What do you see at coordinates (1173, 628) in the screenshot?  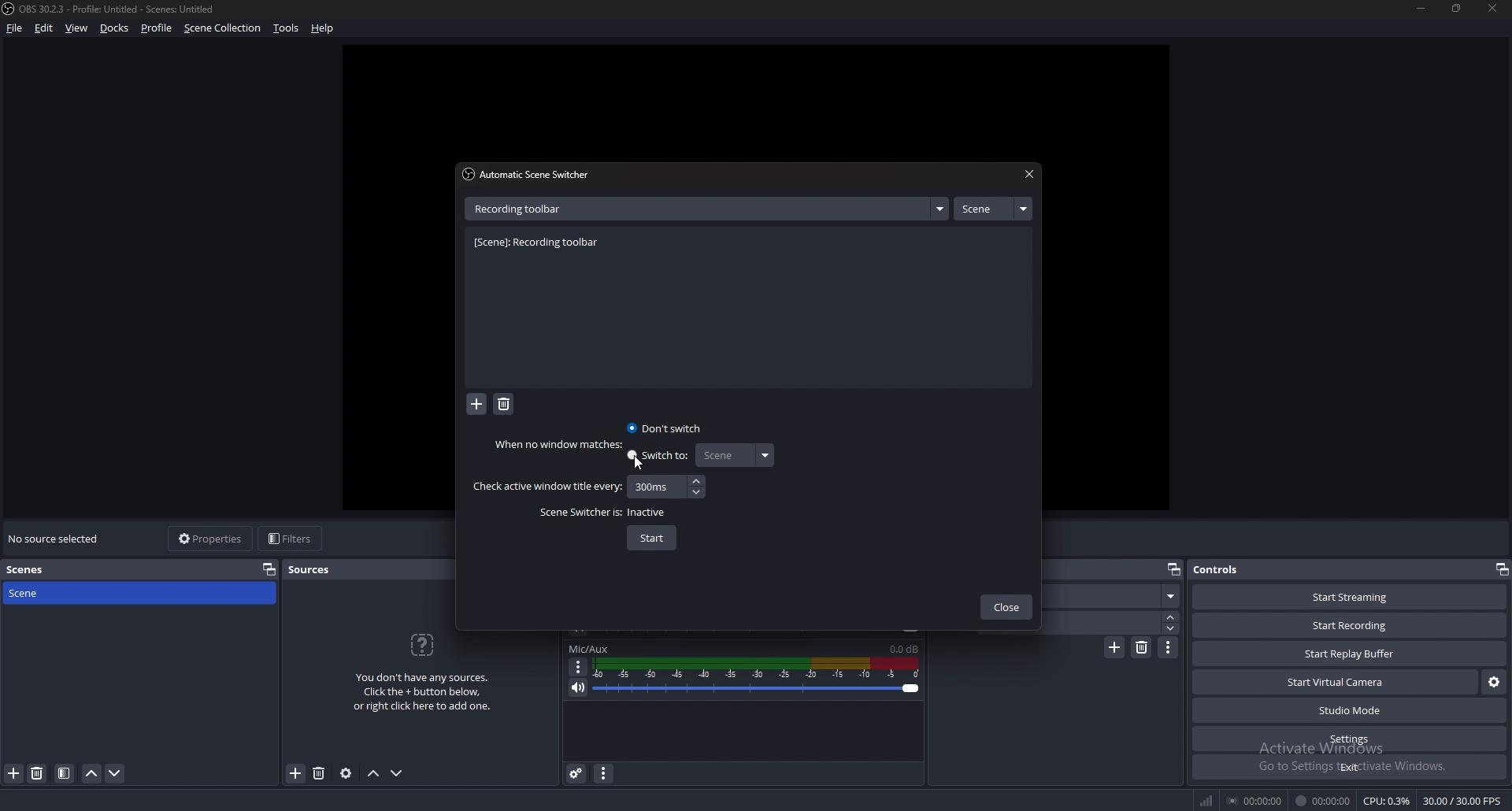 I see `decrease duration` at bounding box center [1173, 628].